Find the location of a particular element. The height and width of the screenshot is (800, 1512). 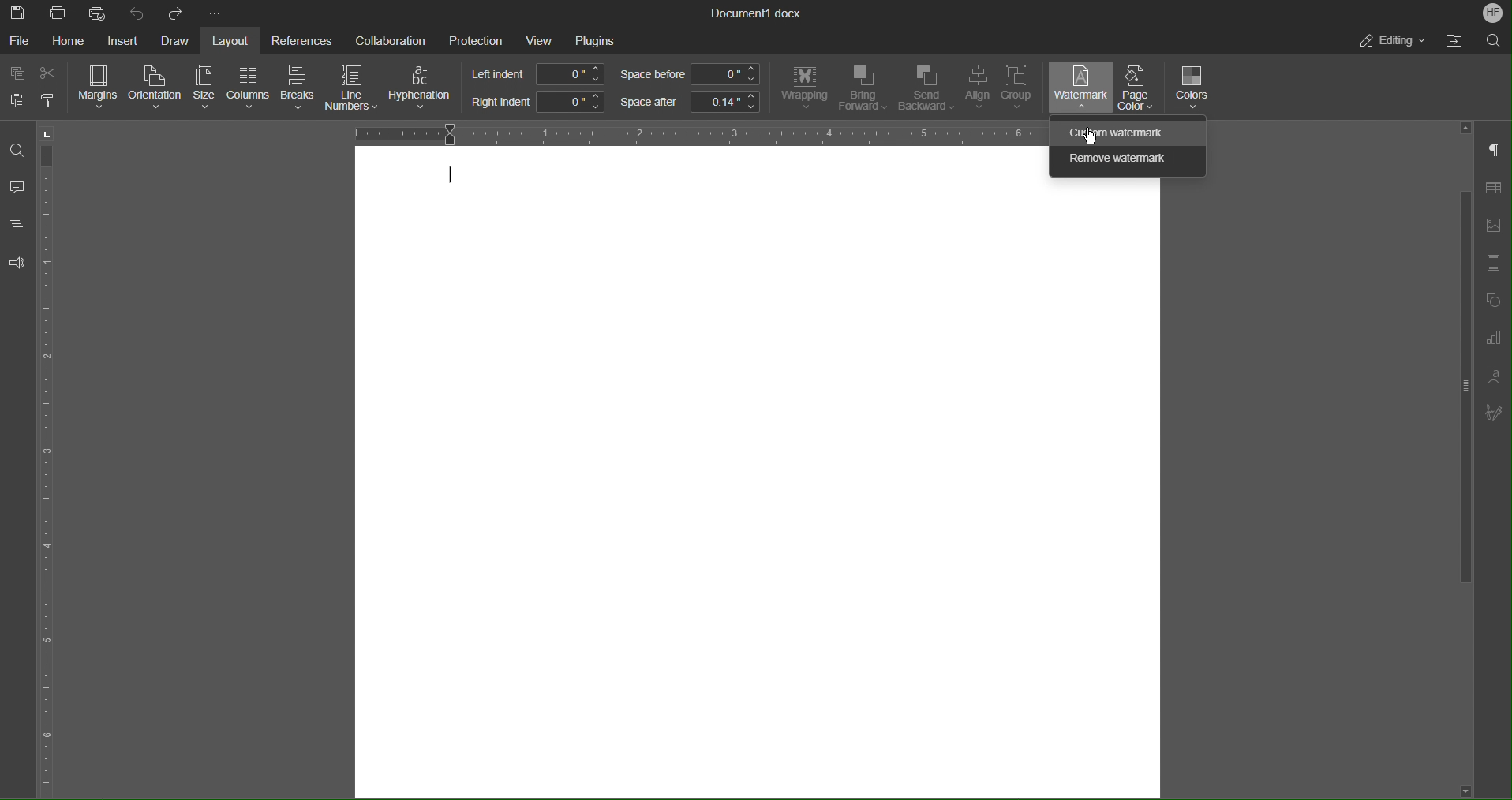

Comment is located at coordinates (17, 189).